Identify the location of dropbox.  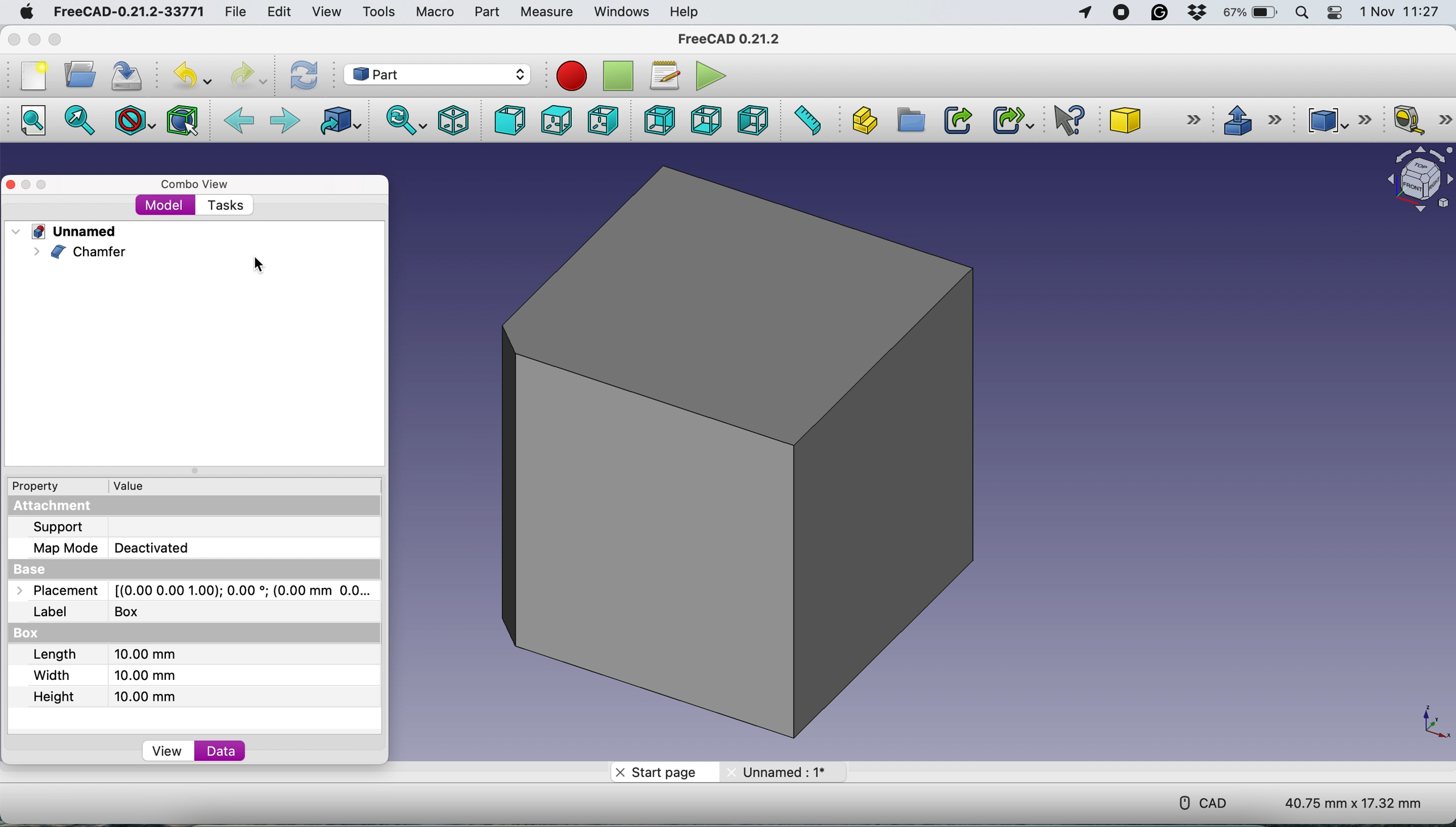
(1201, 12).